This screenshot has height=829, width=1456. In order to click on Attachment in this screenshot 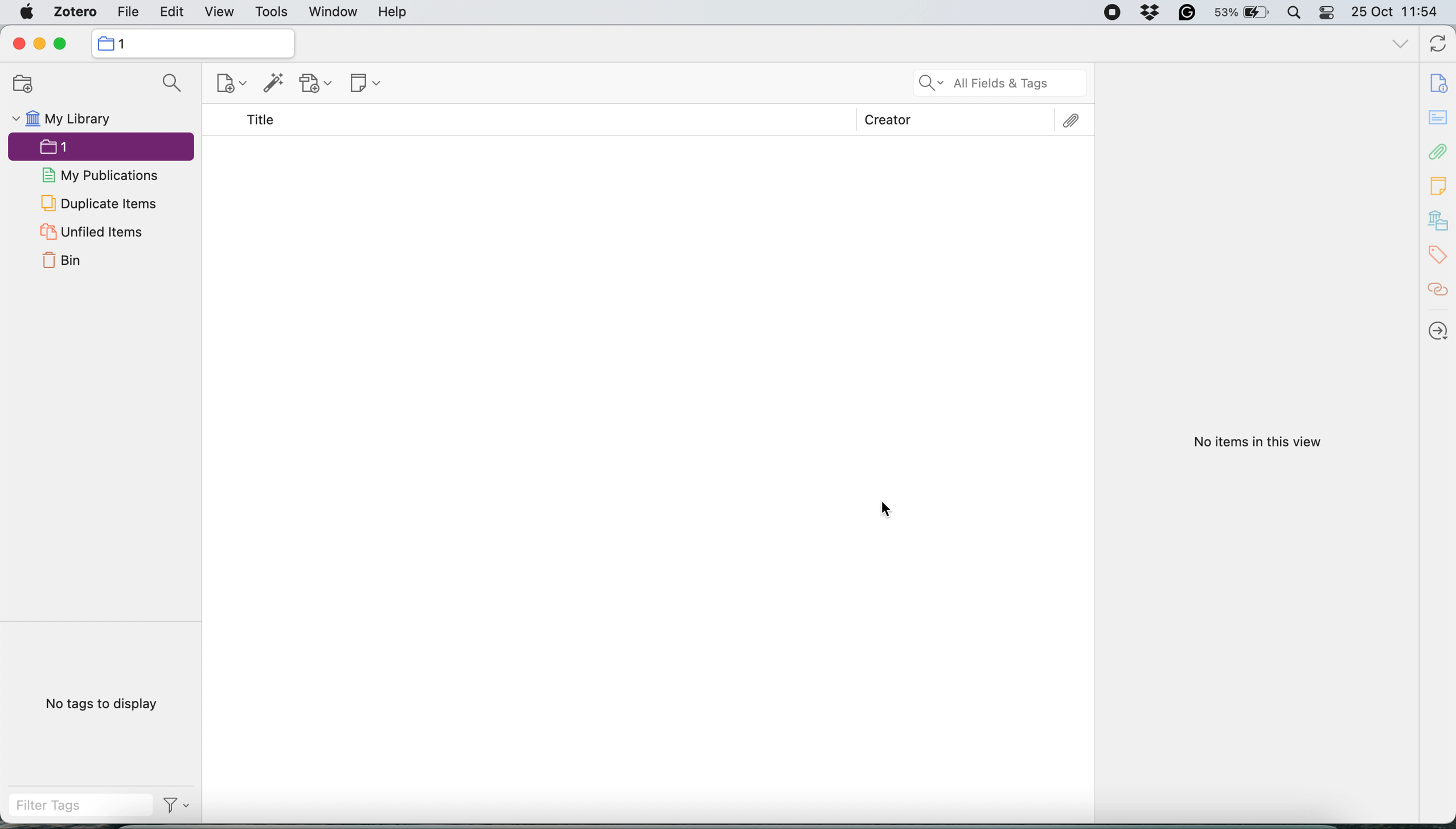, I will do `click(1073, 121)`.